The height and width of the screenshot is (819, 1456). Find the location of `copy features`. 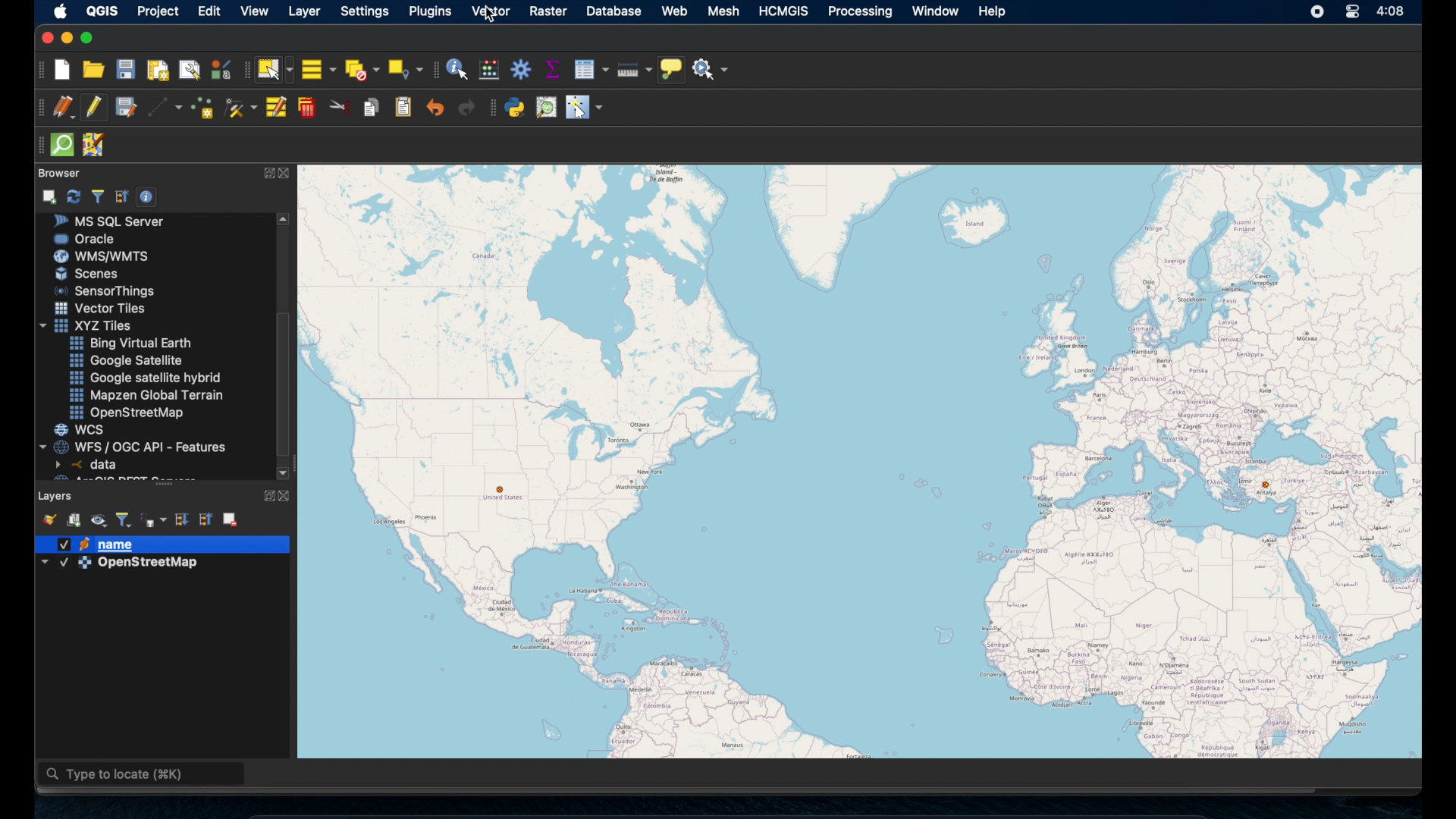

copy features is located at coordinates (371, 106).